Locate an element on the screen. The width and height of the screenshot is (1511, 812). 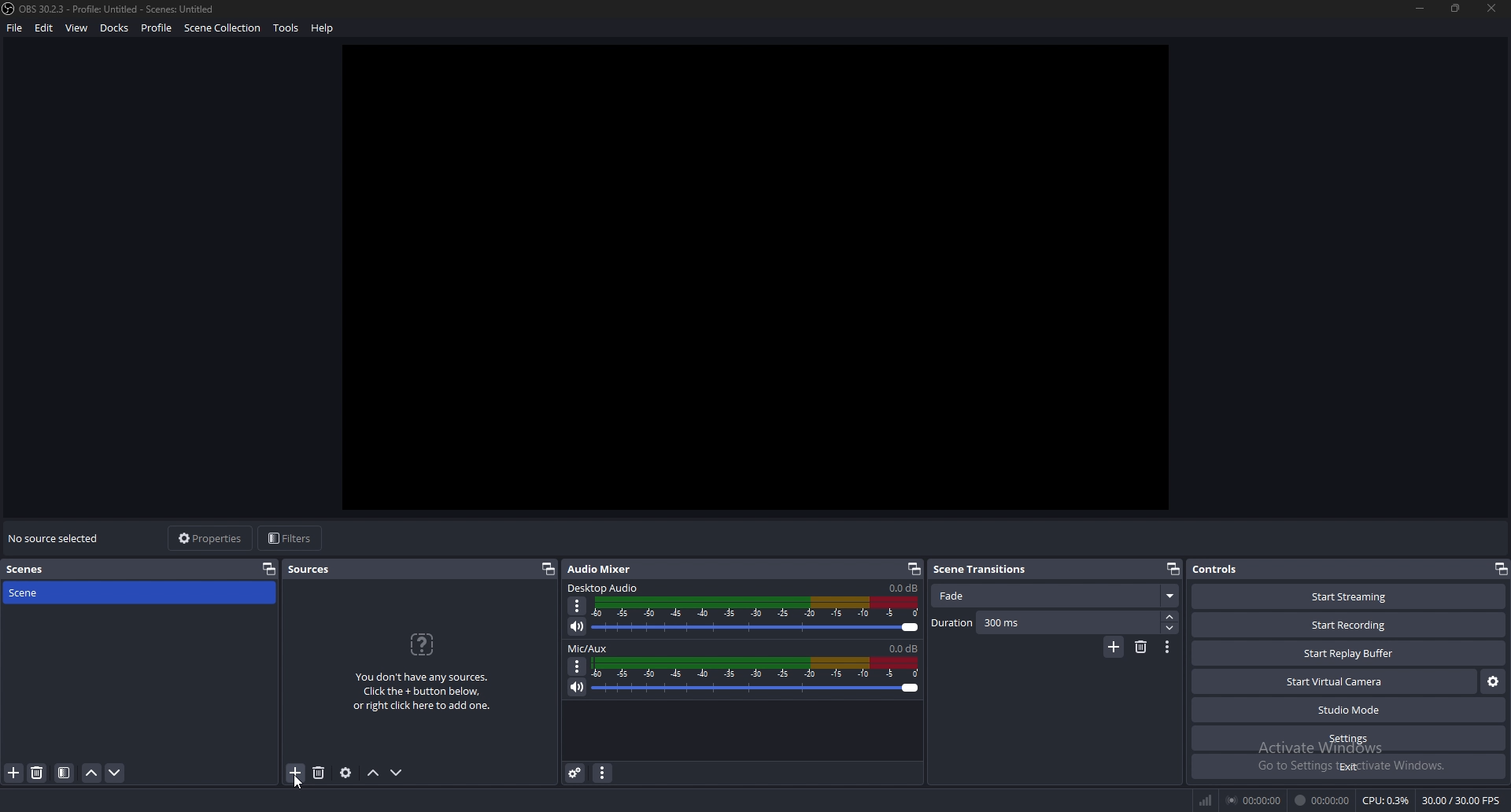
mute is located at coordinates (577, 626).